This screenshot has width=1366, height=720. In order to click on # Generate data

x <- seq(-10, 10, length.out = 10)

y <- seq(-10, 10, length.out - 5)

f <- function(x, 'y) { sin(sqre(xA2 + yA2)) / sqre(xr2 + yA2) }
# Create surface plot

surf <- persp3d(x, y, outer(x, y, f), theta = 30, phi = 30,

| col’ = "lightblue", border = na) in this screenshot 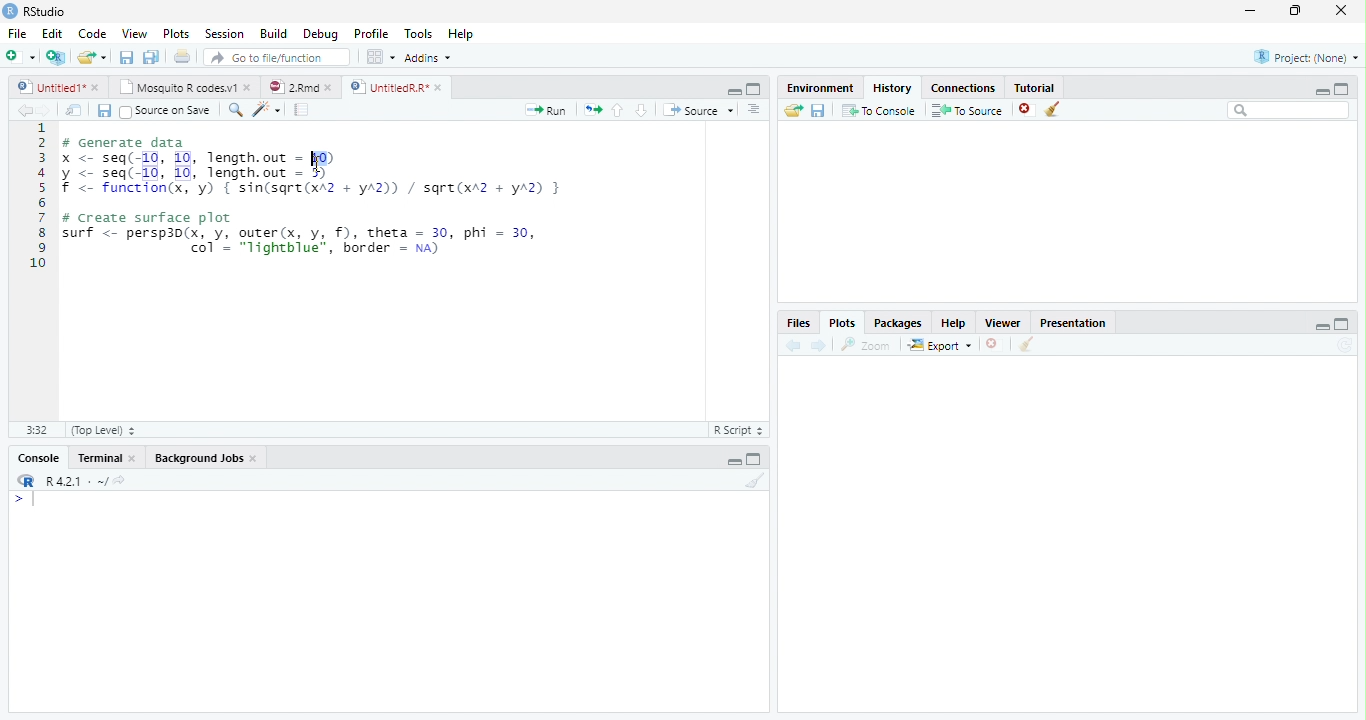, I will do `click(317, 204)`.